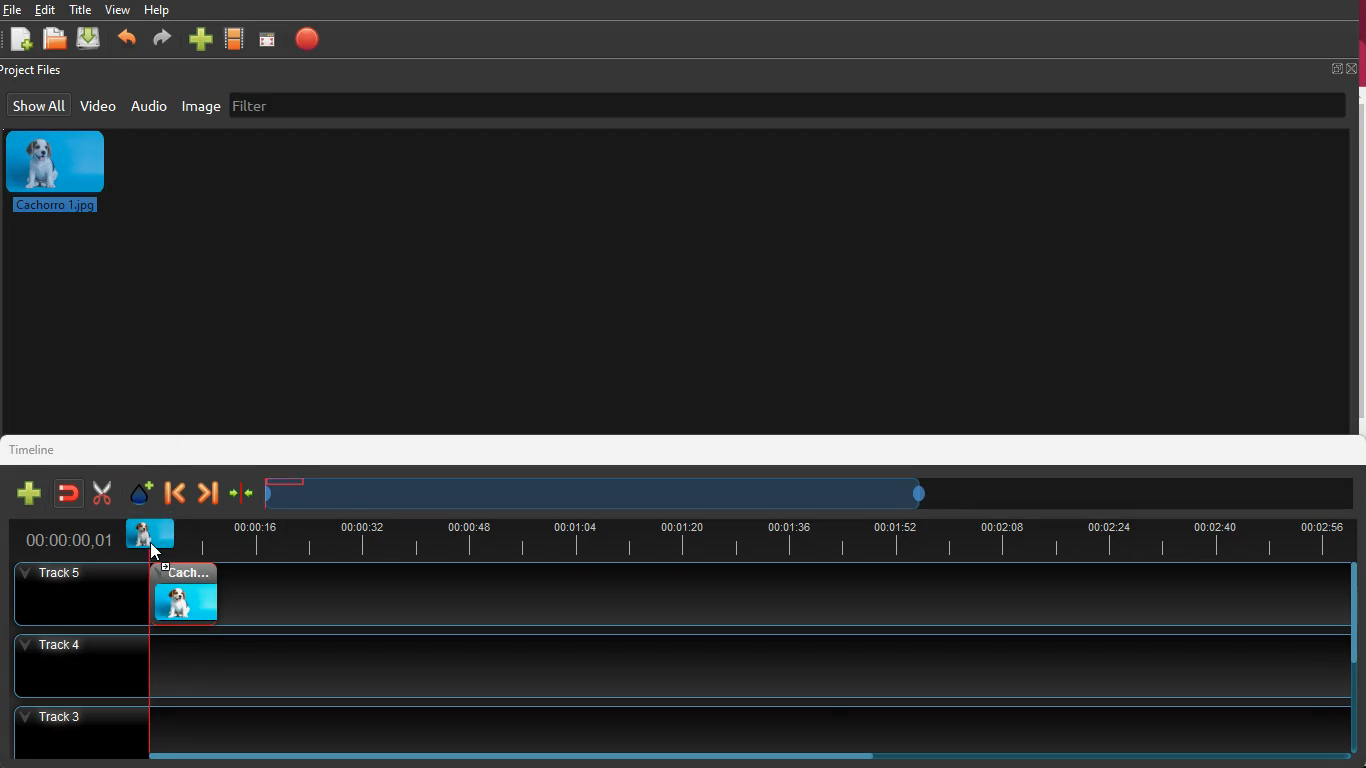 The height and width of the screenshot is (768, 1366). I want to click on time, so click(54, 536).